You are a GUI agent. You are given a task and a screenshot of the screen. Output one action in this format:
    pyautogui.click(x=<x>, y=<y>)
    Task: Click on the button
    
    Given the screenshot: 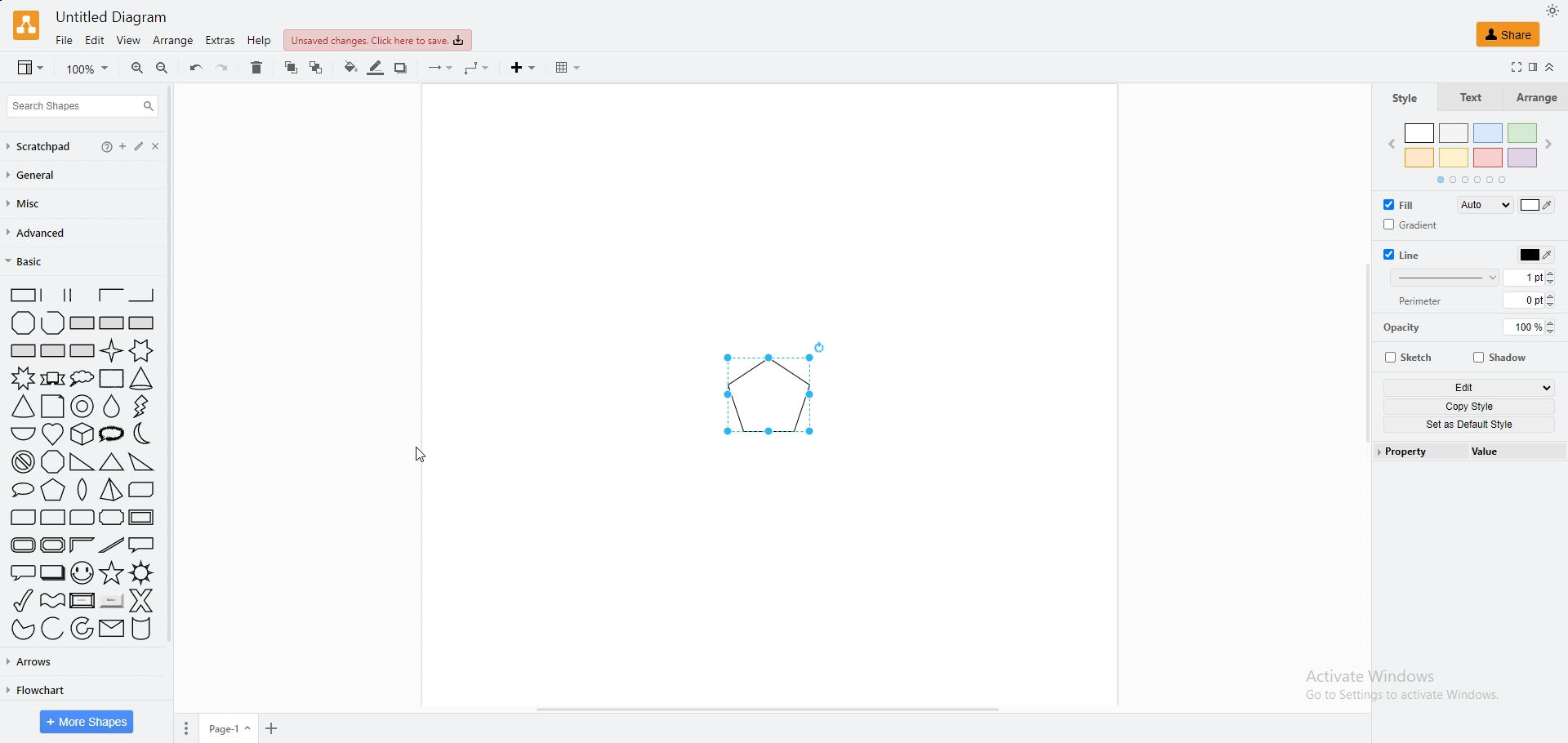 What is the action you would take?
    pyautogui.click(x=82, y=600)
    